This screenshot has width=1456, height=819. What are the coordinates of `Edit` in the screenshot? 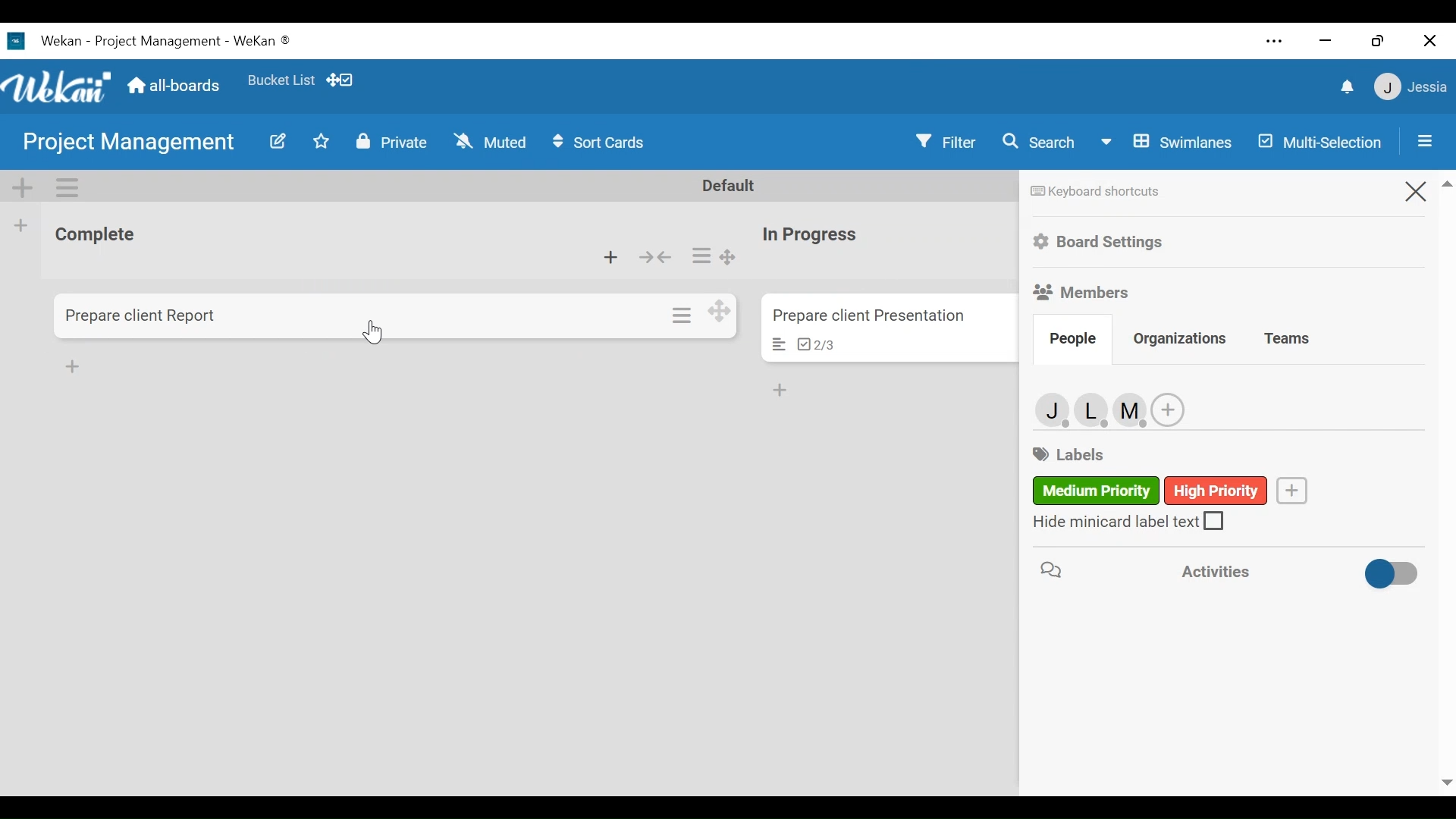 It's located at (279, 143).